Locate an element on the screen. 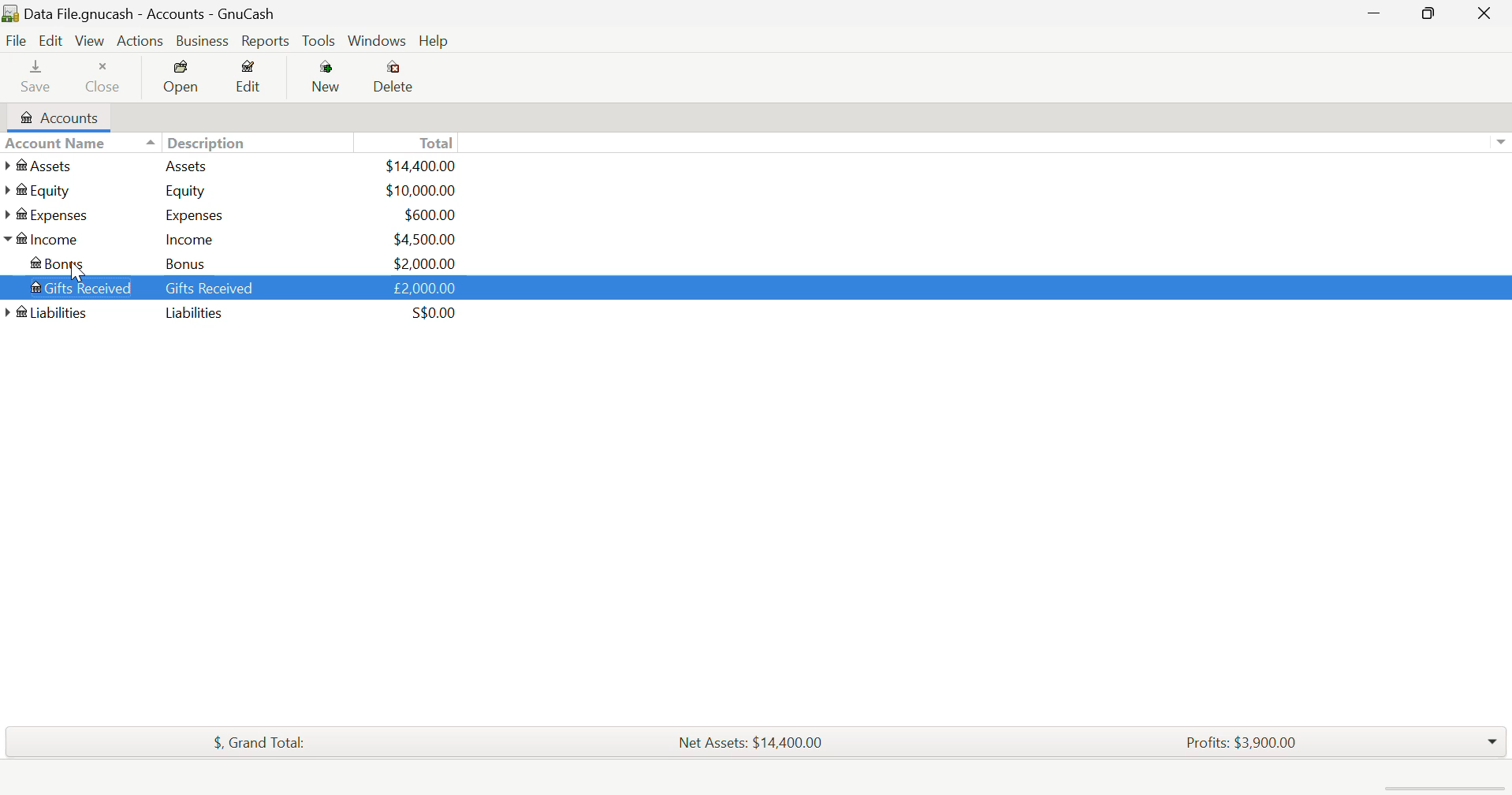  Total is located at coordinates (259, 743).